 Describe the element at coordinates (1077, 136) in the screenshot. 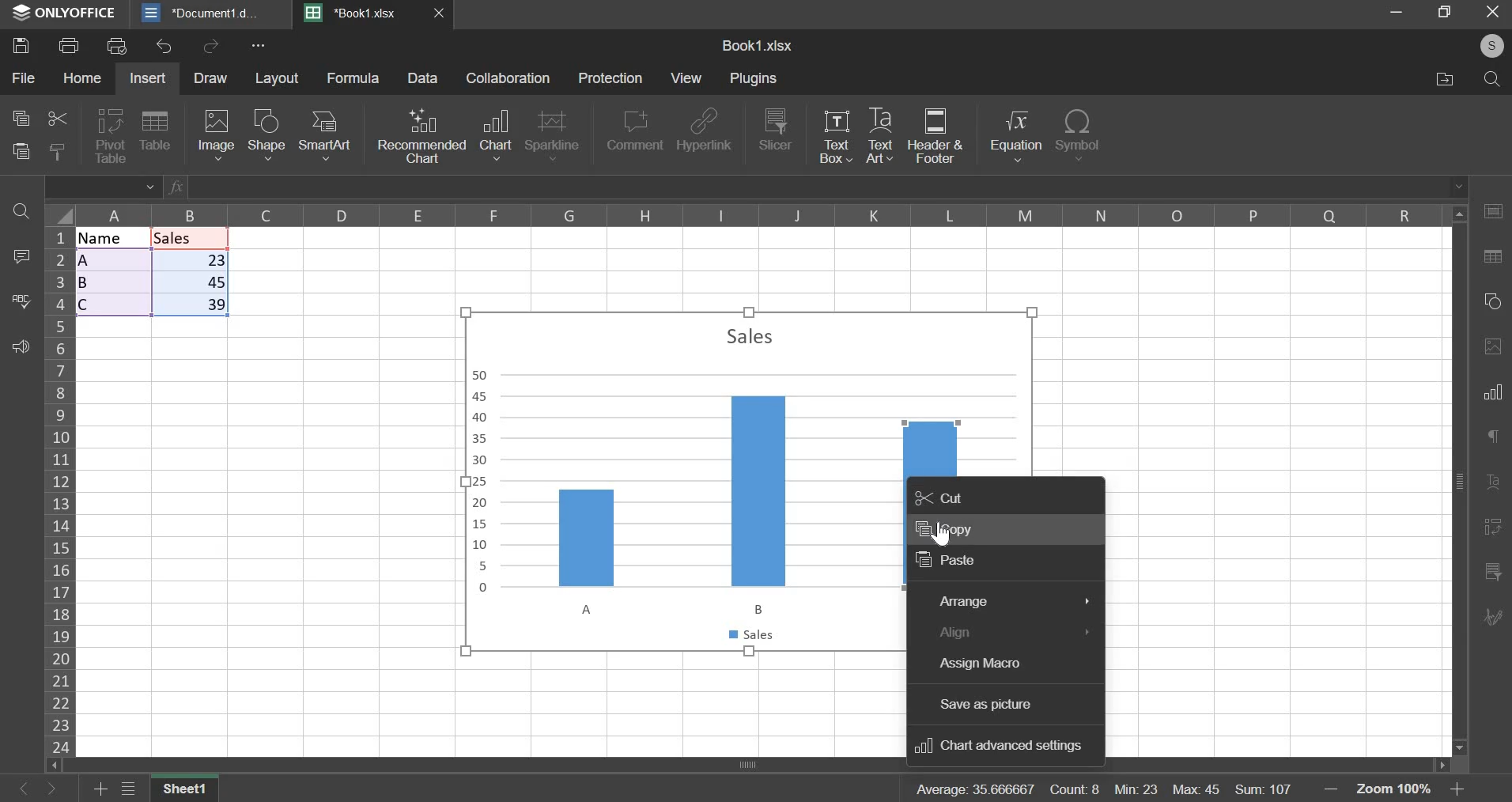

I see `symbol` at that location.